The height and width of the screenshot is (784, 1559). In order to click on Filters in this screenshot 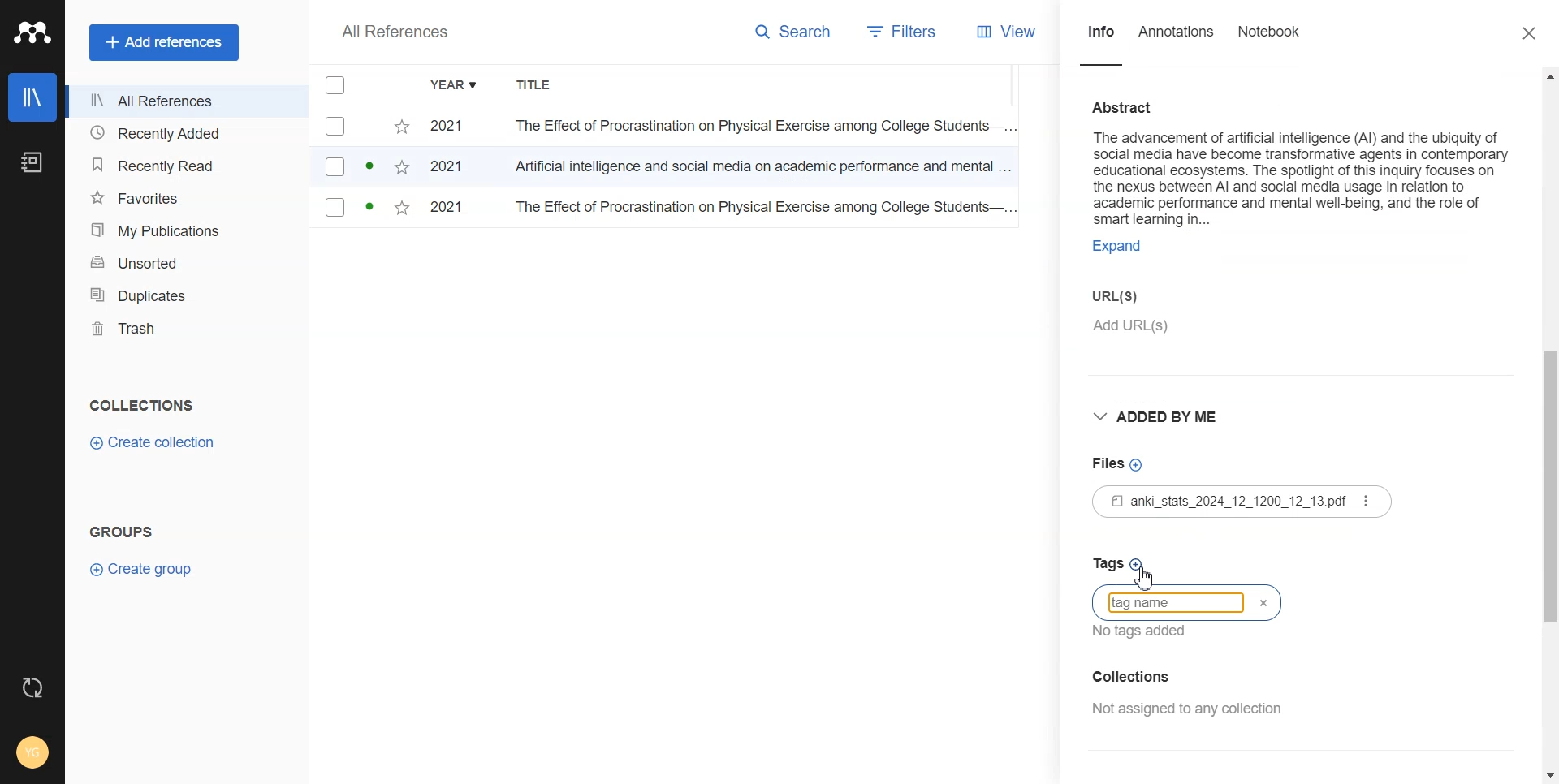, I will do `click(899, 32)`.